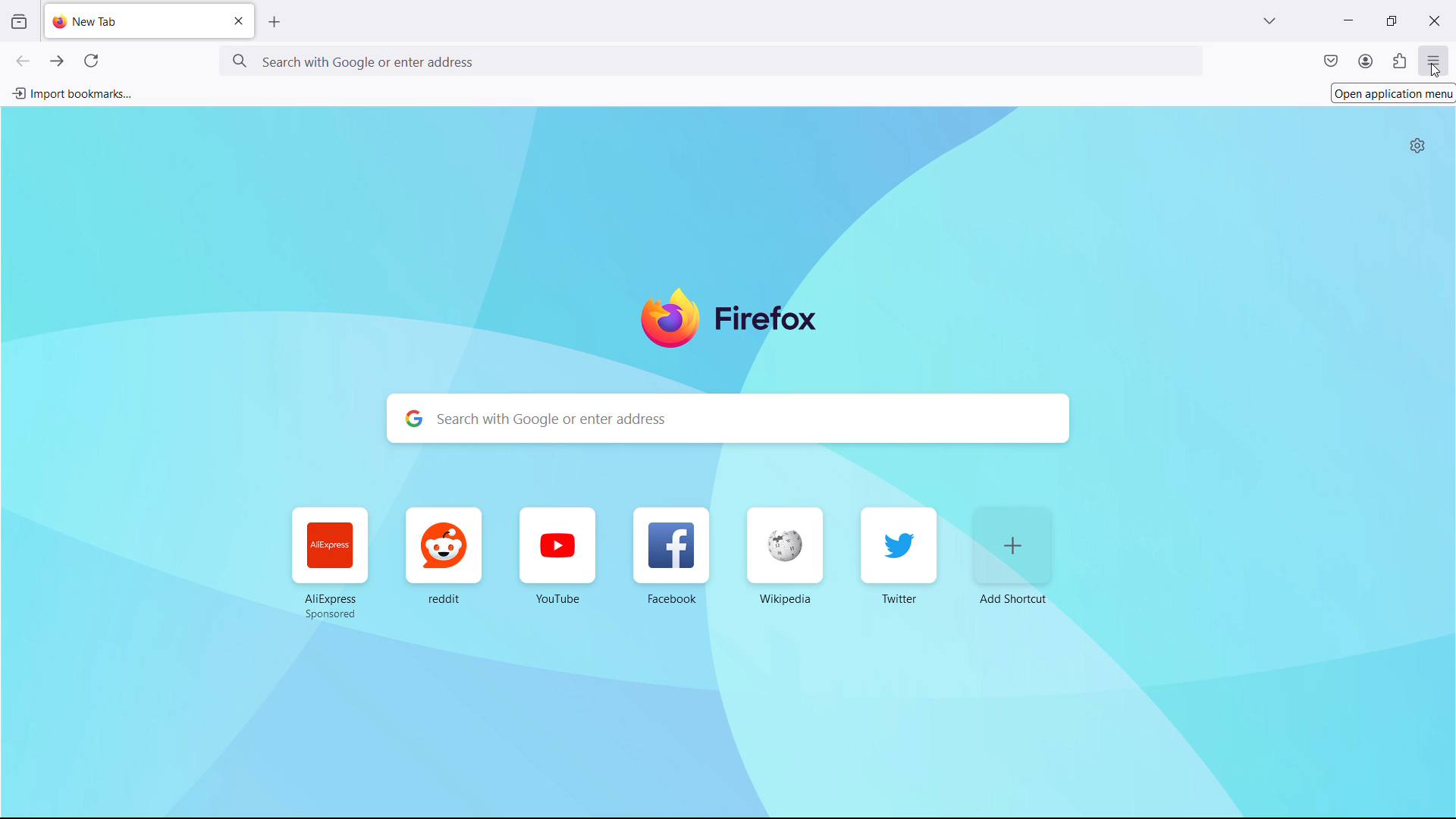 This screenshot has width=1456, height=819. Describe the element at coordinates (1347, 19) in the screenshot. I see `minimize` at that location.